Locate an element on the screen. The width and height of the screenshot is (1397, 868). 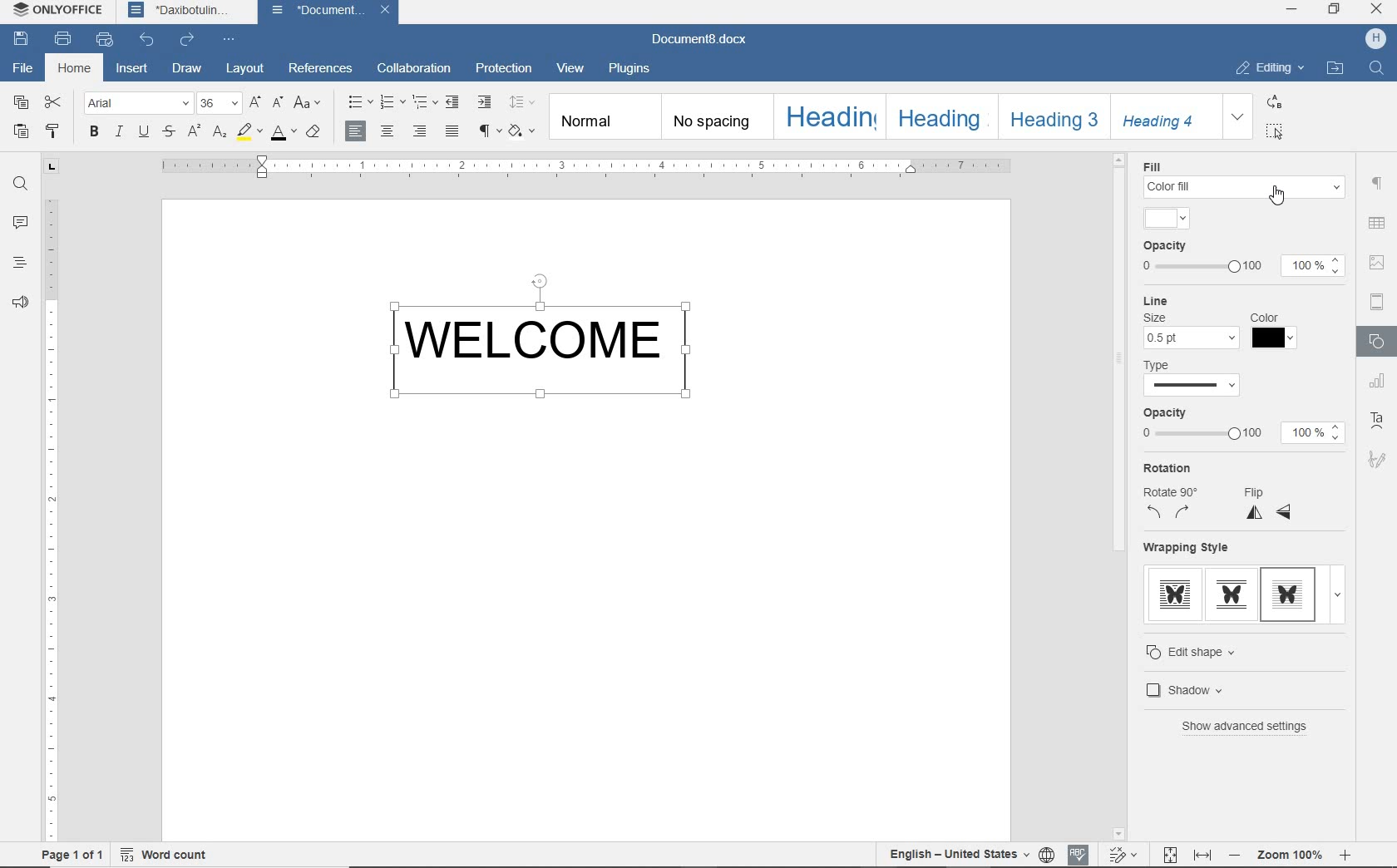
FIND is located at coordinates (20, 187).